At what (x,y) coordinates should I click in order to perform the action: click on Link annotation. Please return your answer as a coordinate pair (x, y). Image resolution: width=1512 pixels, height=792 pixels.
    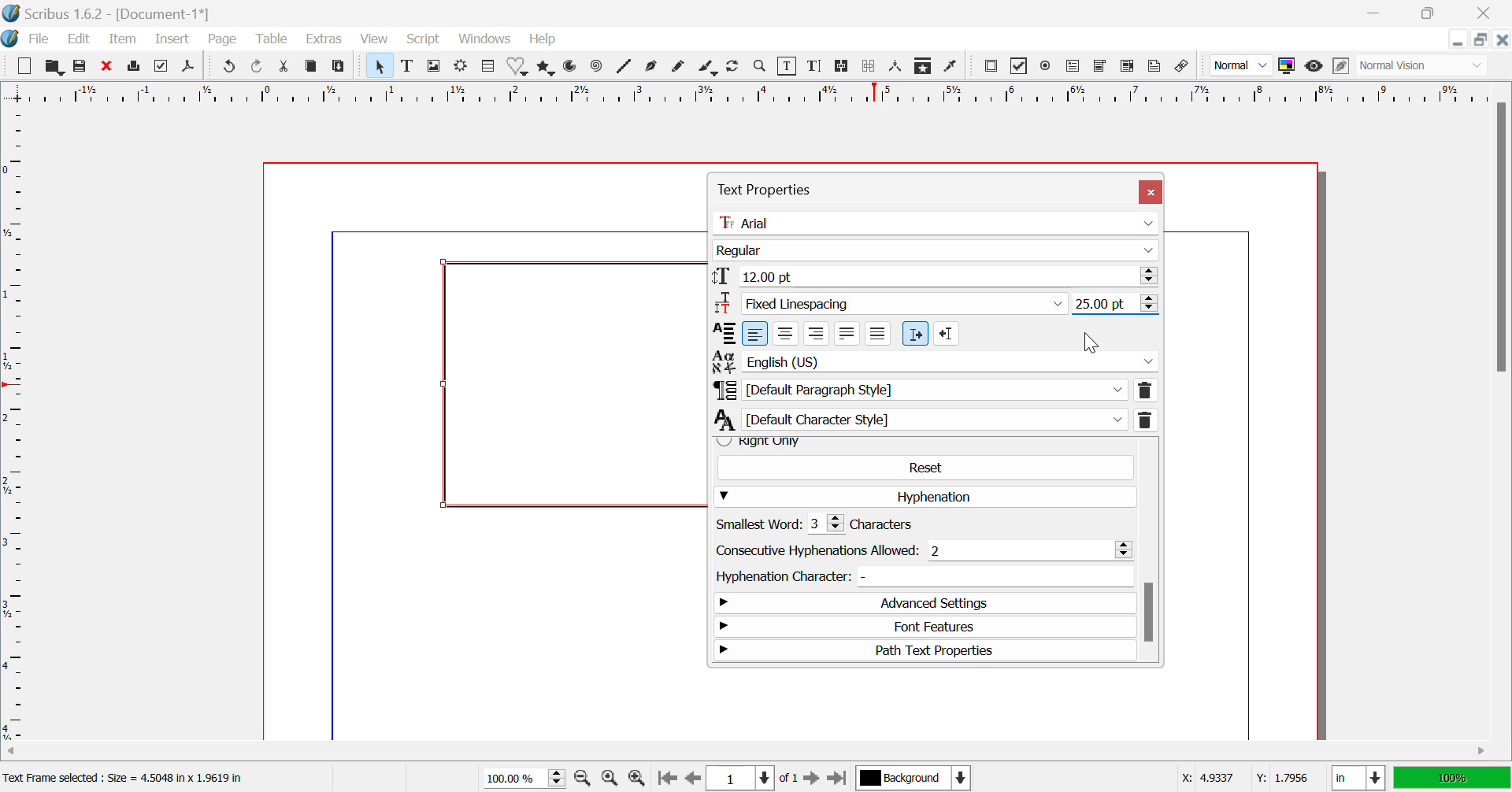
    Looking at the image, I should click on (1185, 67).